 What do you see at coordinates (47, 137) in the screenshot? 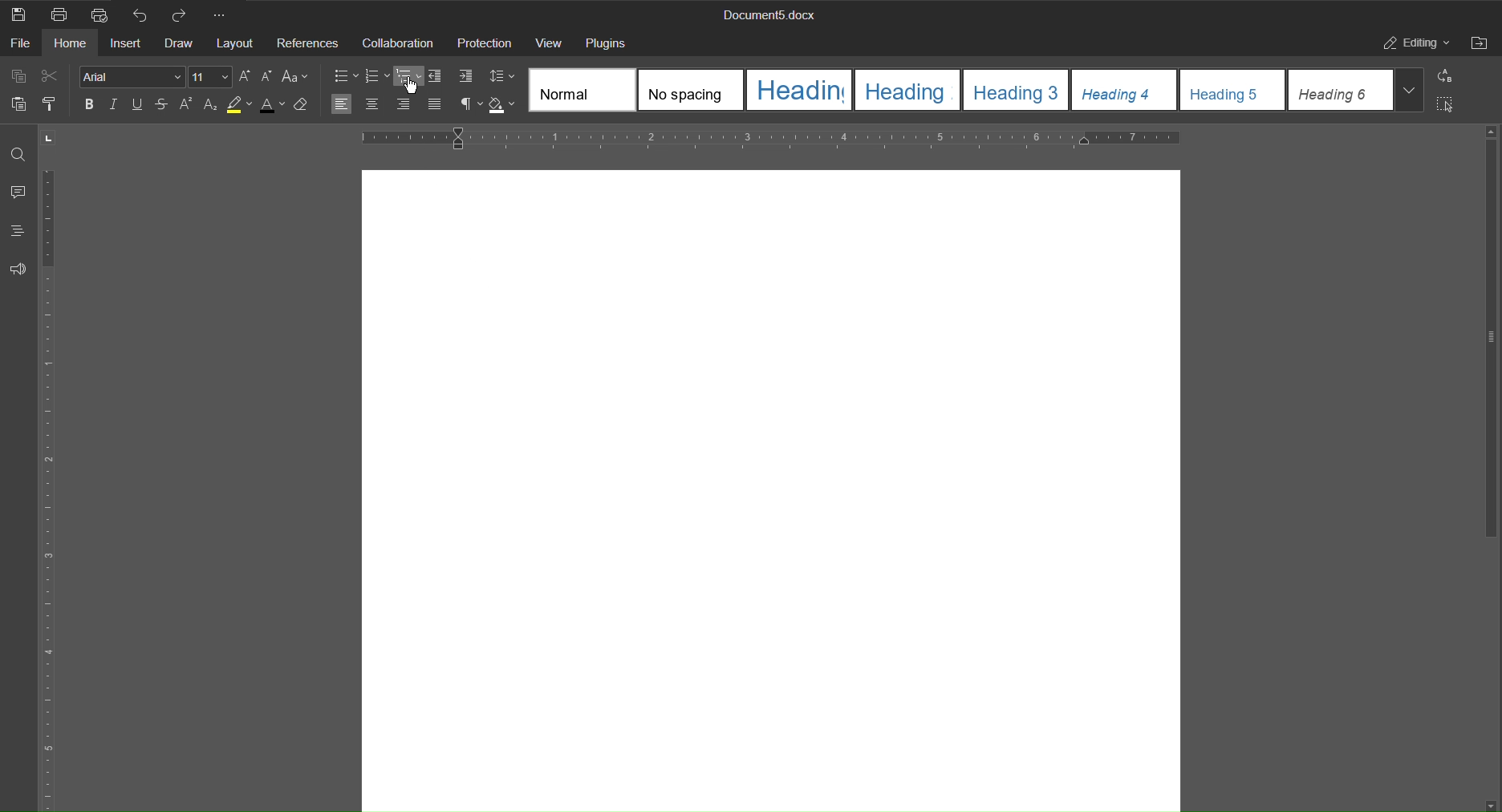
I see `page orientation` at bounding box center [47, 137].